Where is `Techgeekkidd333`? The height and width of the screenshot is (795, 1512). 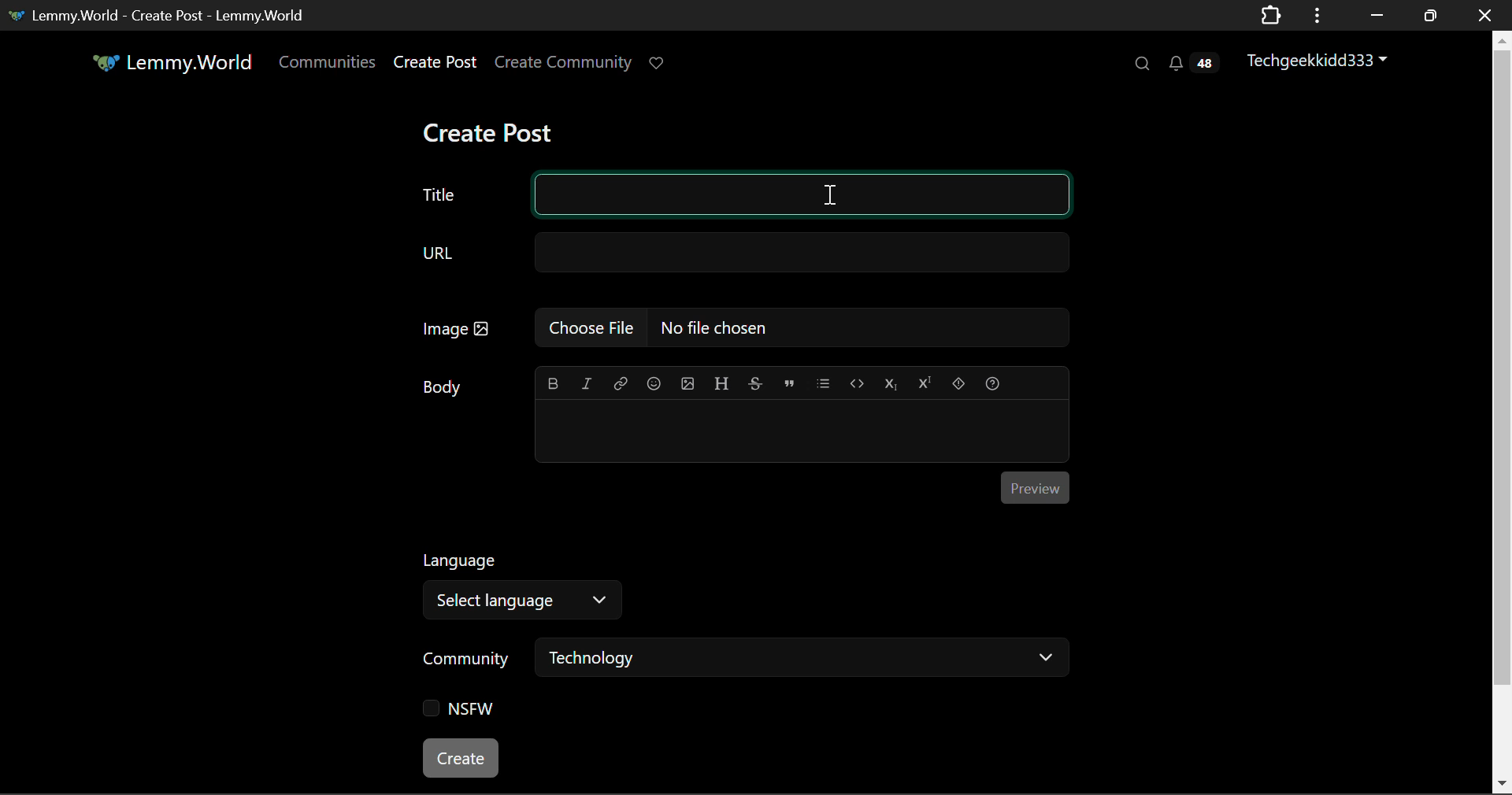
Techgeekkidd333 is located at coordinates (1324, 59).